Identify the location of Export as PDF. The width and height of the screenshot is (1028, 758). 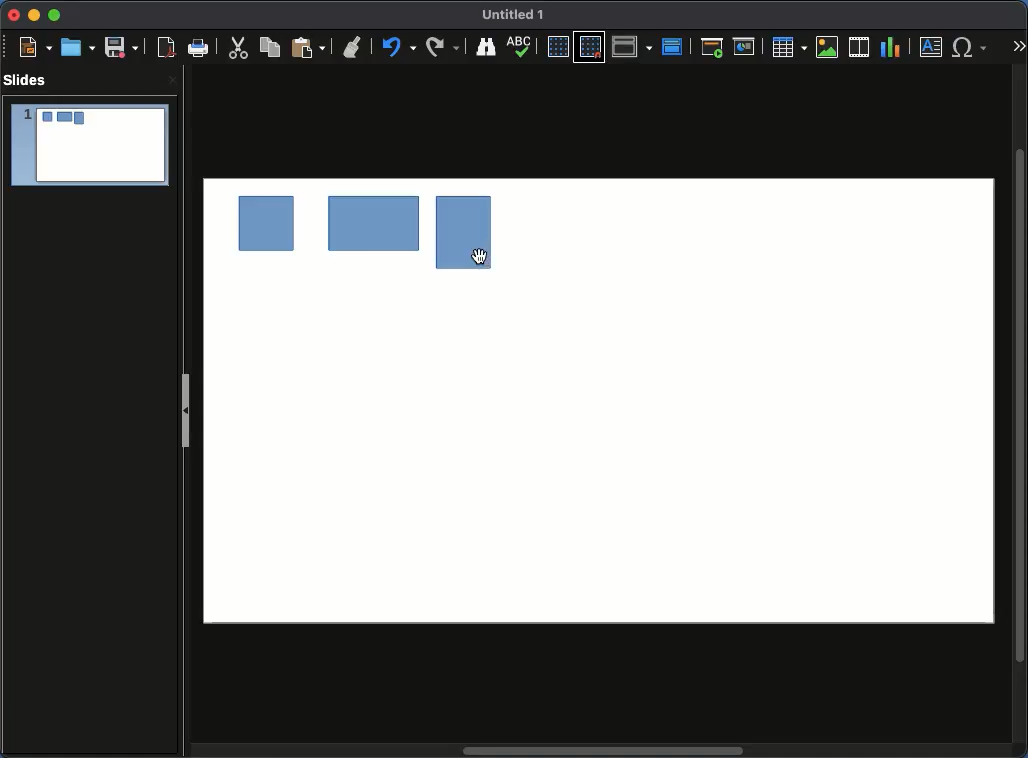
(163, 48).